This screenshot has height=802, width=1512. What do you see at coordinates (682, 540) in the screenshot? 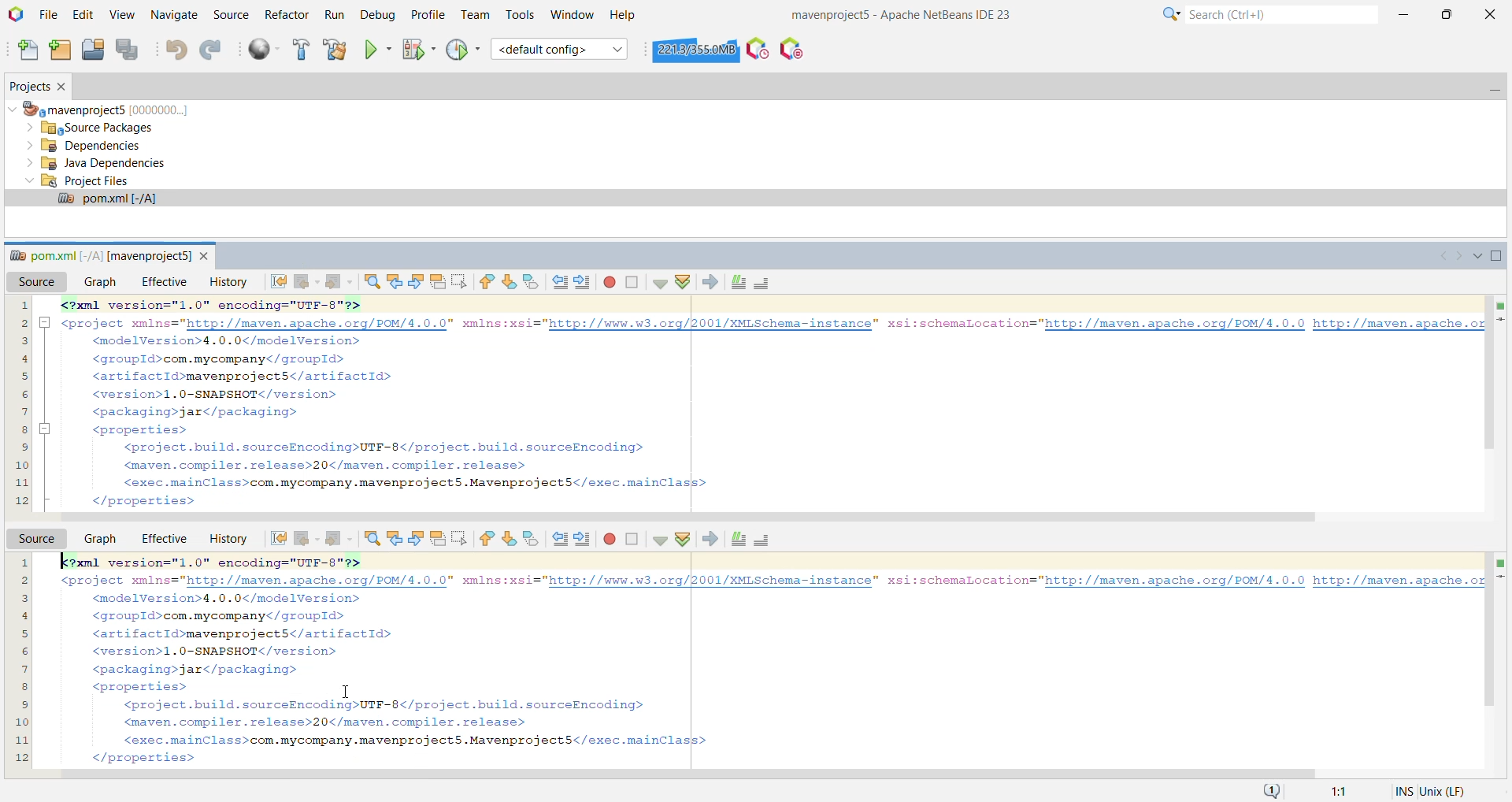
I see `Validate XML` at bounding box center [682, 540].